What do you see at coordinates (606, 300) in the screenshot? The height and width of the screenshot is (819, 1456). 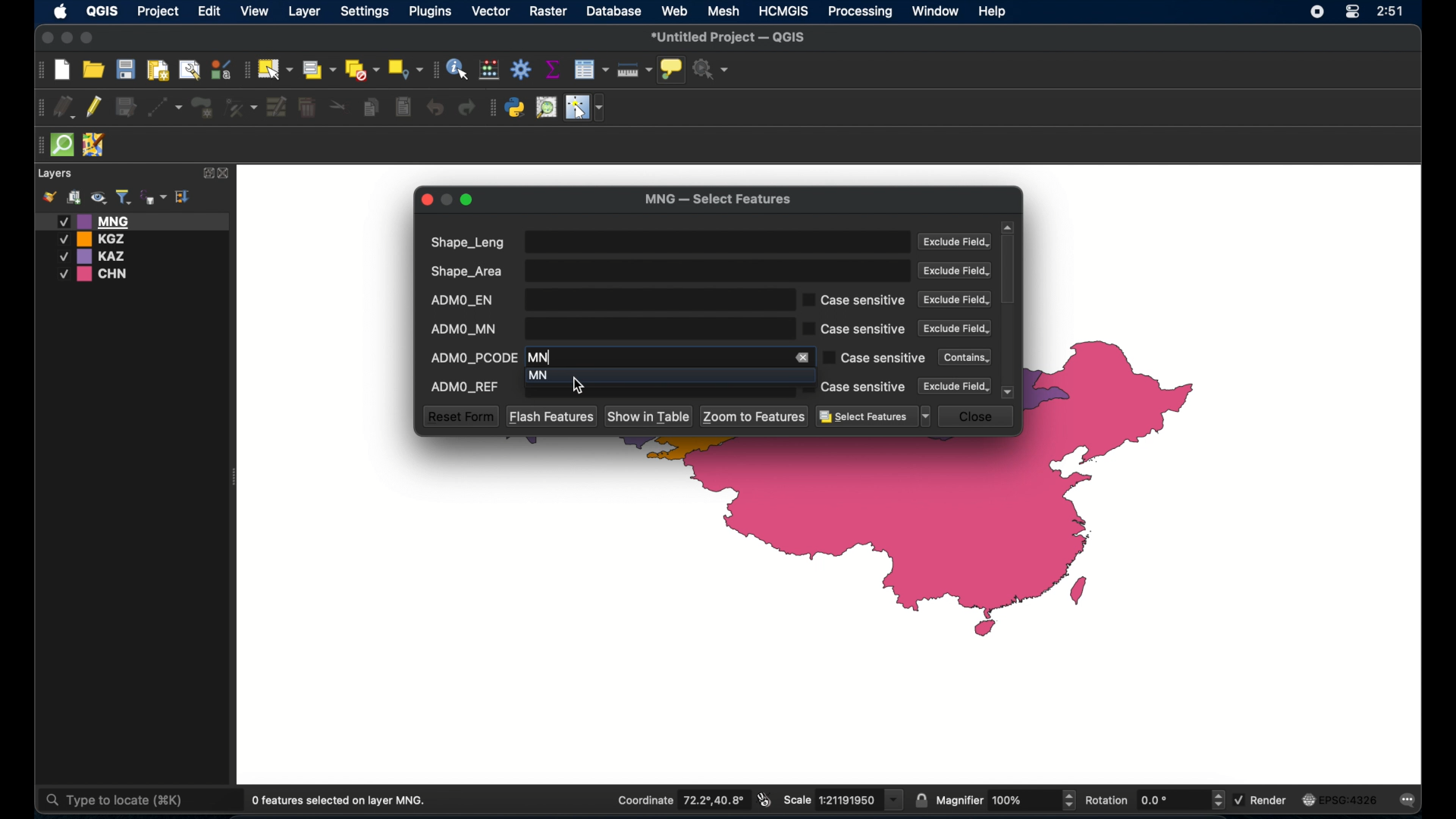 I see `ADMO_EN` at bounding box center [606, 300].